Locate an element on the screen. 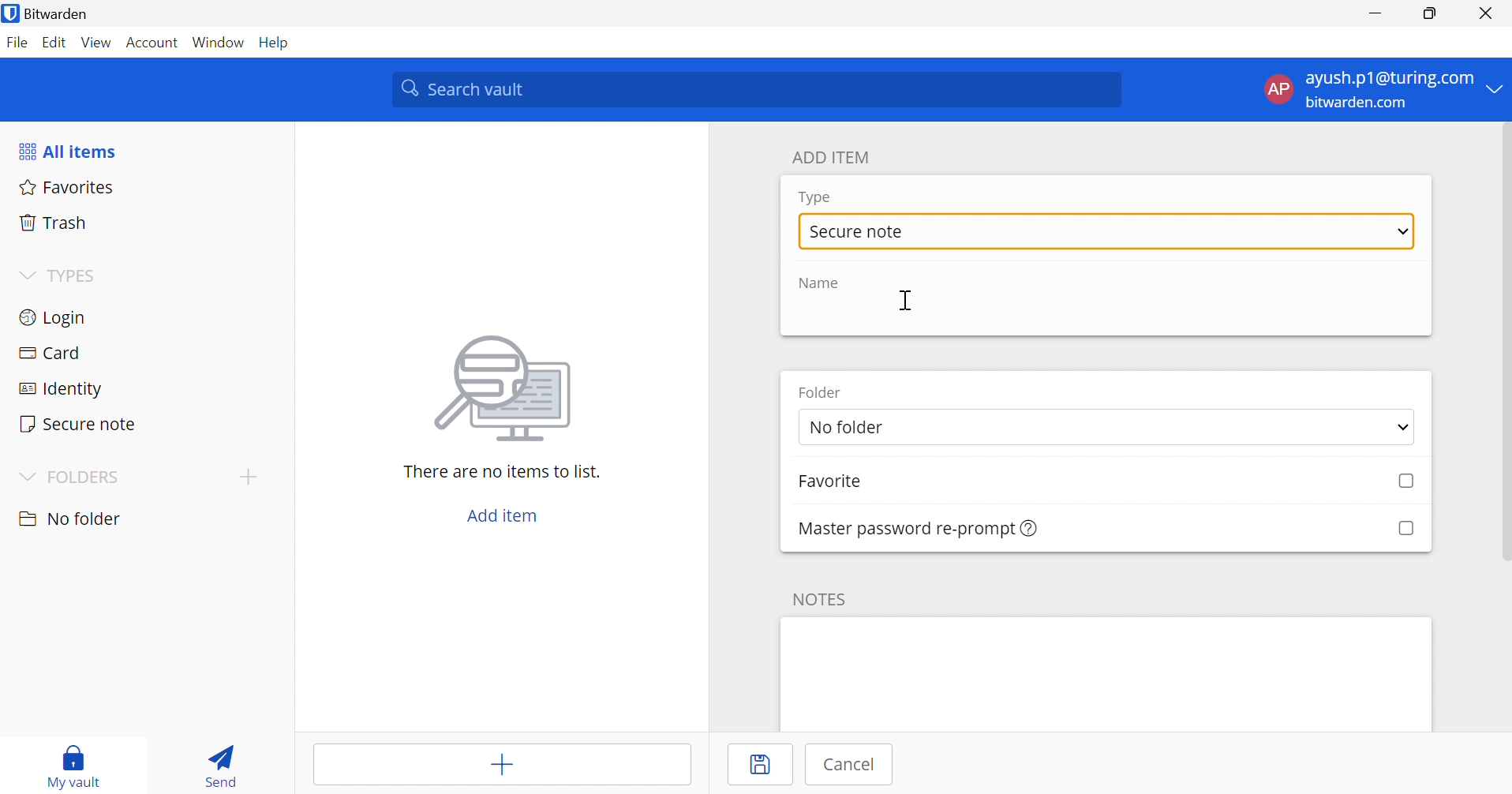  Minimize is located at coordinates (1375, 15).